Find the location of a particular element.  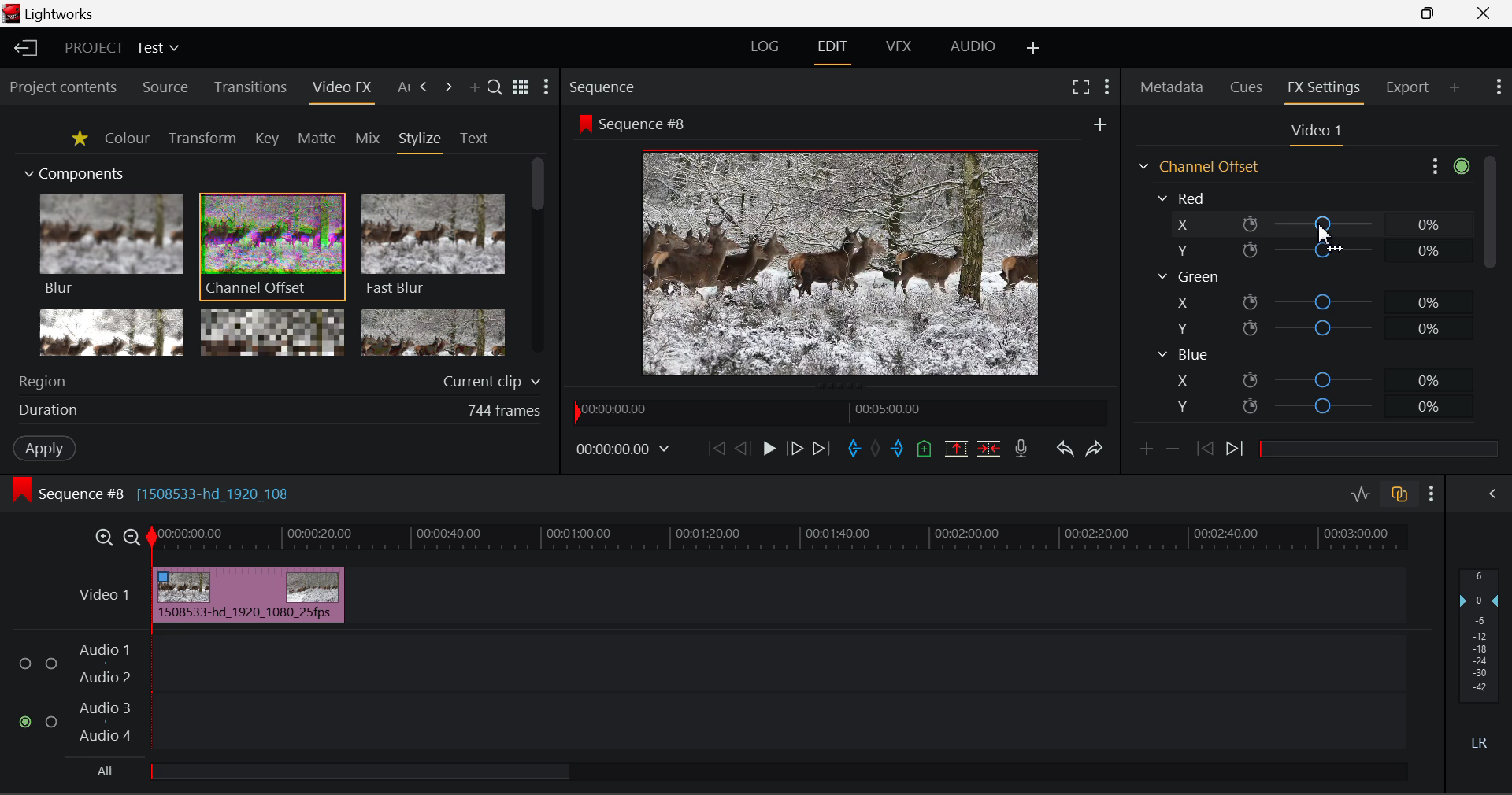

Glow is located at coordinates (109, 331).